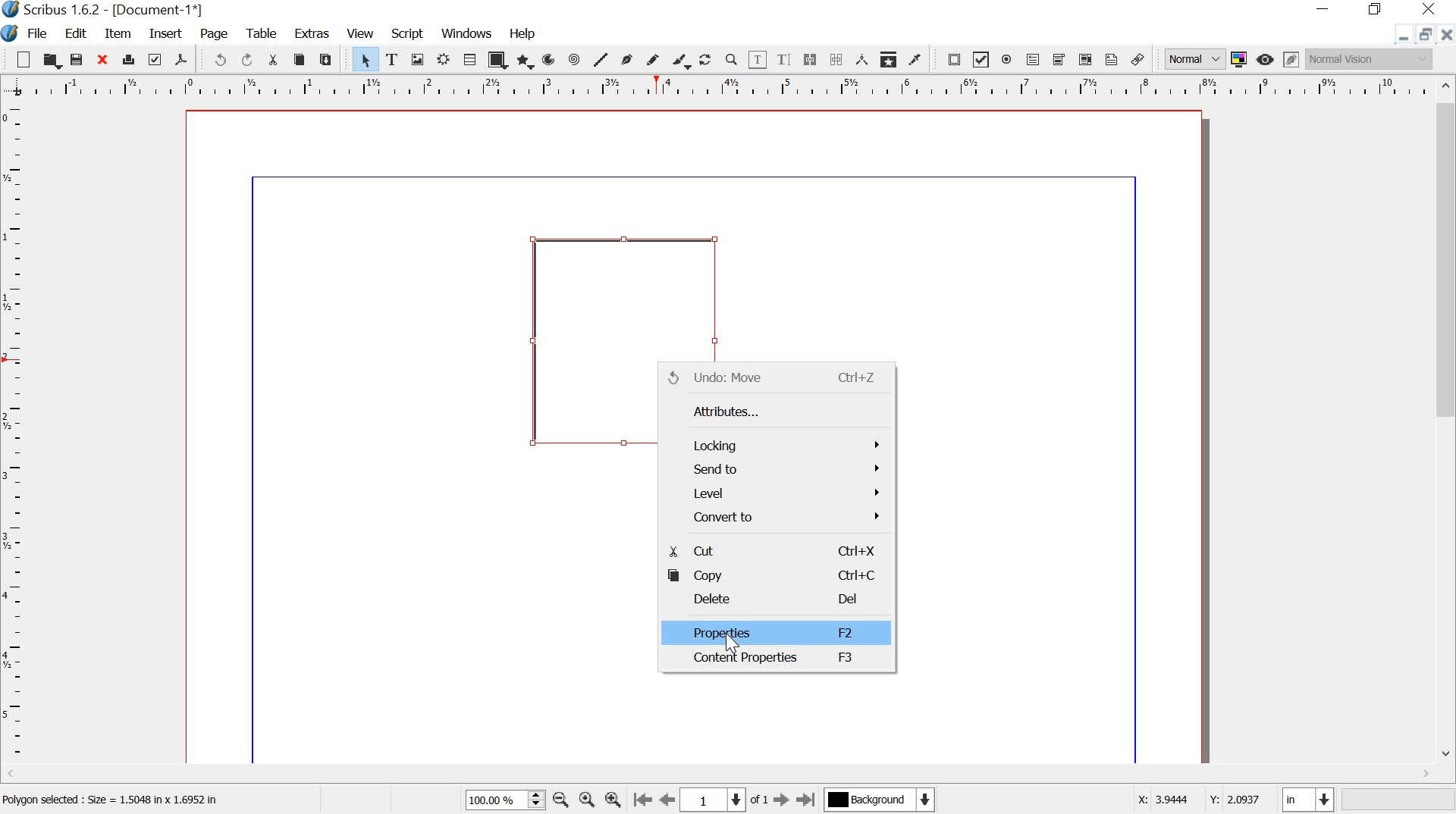 The width and height of the screenshot is (1456, 814). Describe the element at coordinates (1200, 802) in the screenshot. I see `X: 3.9444 Y: 2.0937` at that location.